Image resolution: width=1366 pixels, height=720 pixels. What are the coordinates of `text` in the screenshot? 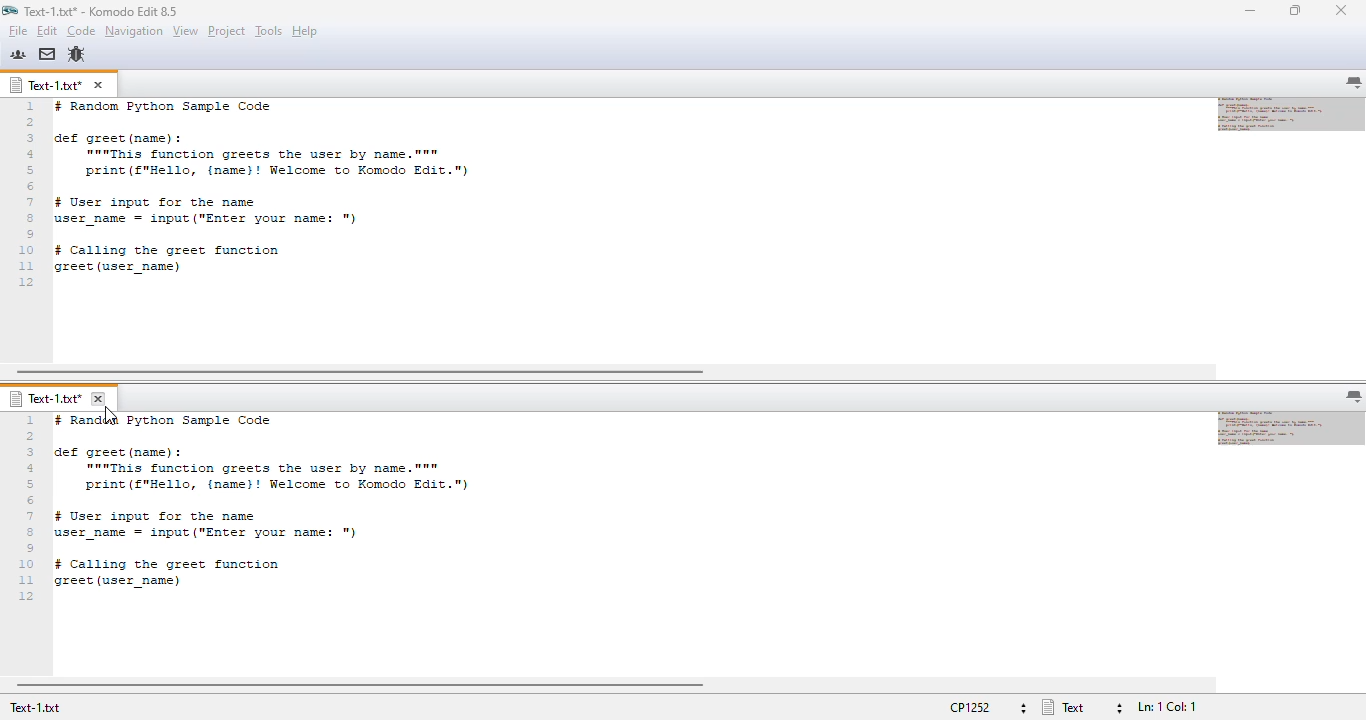 It's located at (312, 511).